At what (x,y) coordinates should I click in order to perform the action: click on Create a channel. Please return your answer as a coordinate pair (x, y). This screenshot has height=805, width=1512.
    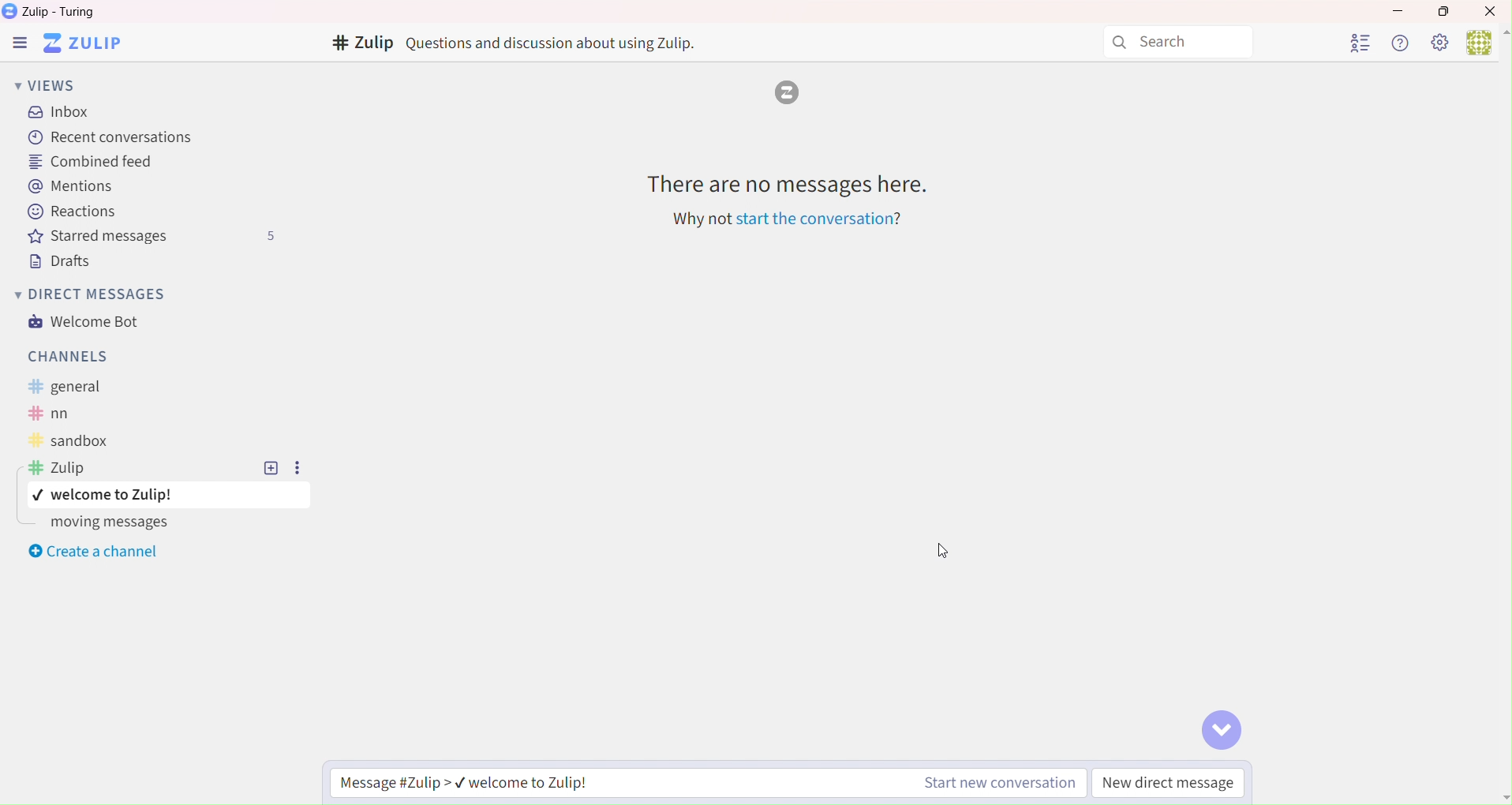
    Looking at the image, I should click on (92, 549).